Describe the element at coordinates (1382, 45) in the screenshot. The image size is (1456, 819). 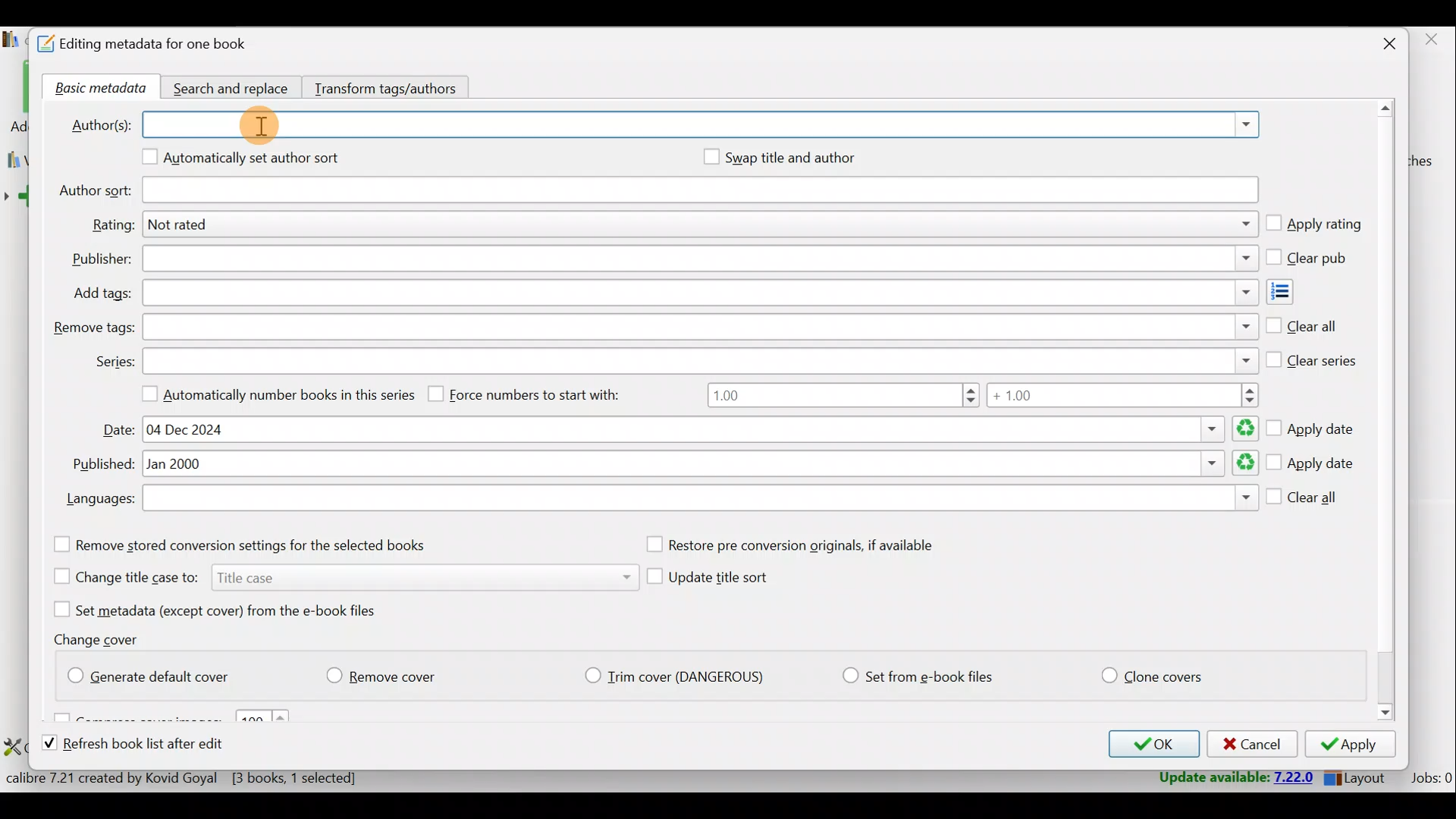
I see `Close` at that location.